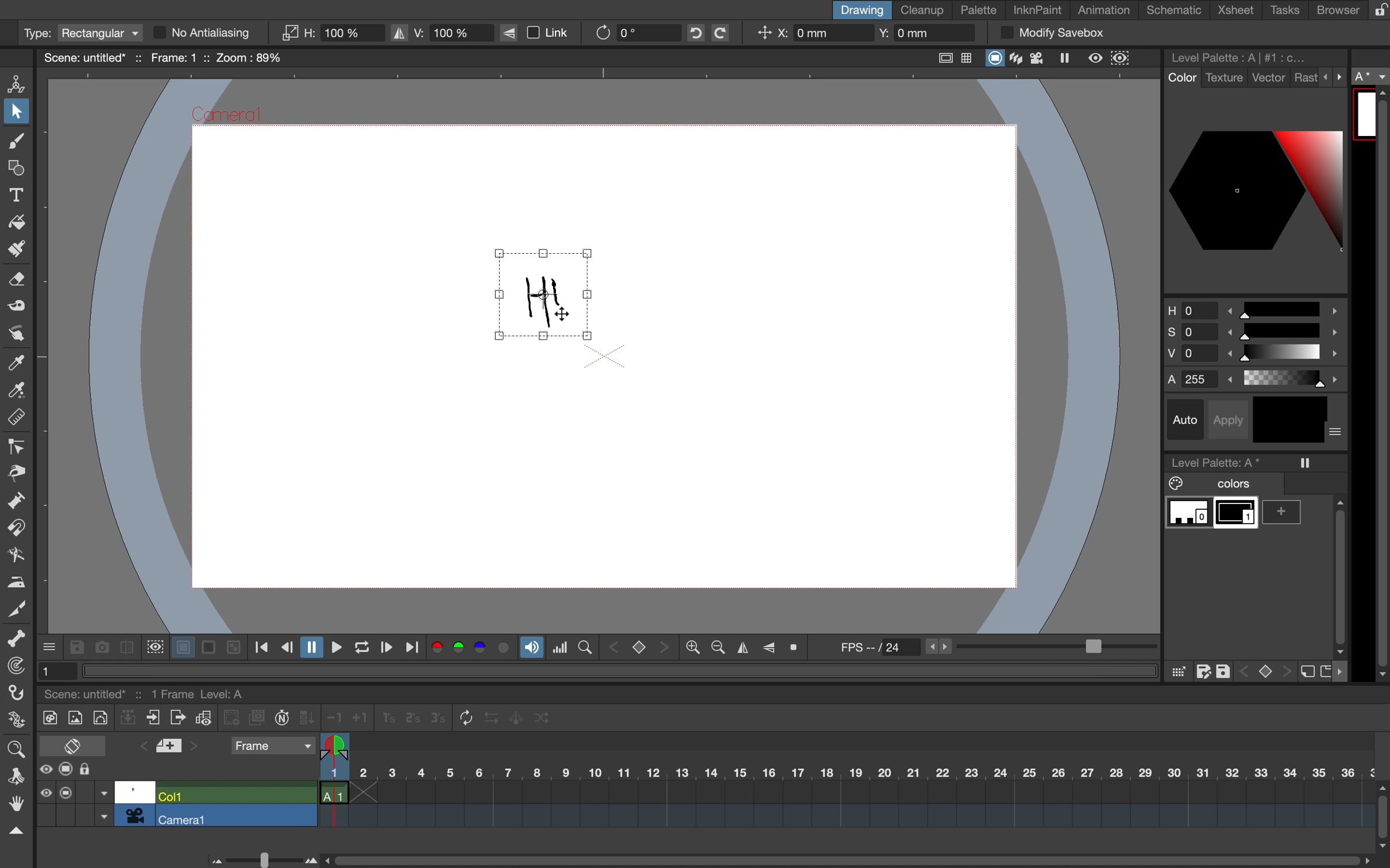  I want to click on save as, so click(1203, 672).